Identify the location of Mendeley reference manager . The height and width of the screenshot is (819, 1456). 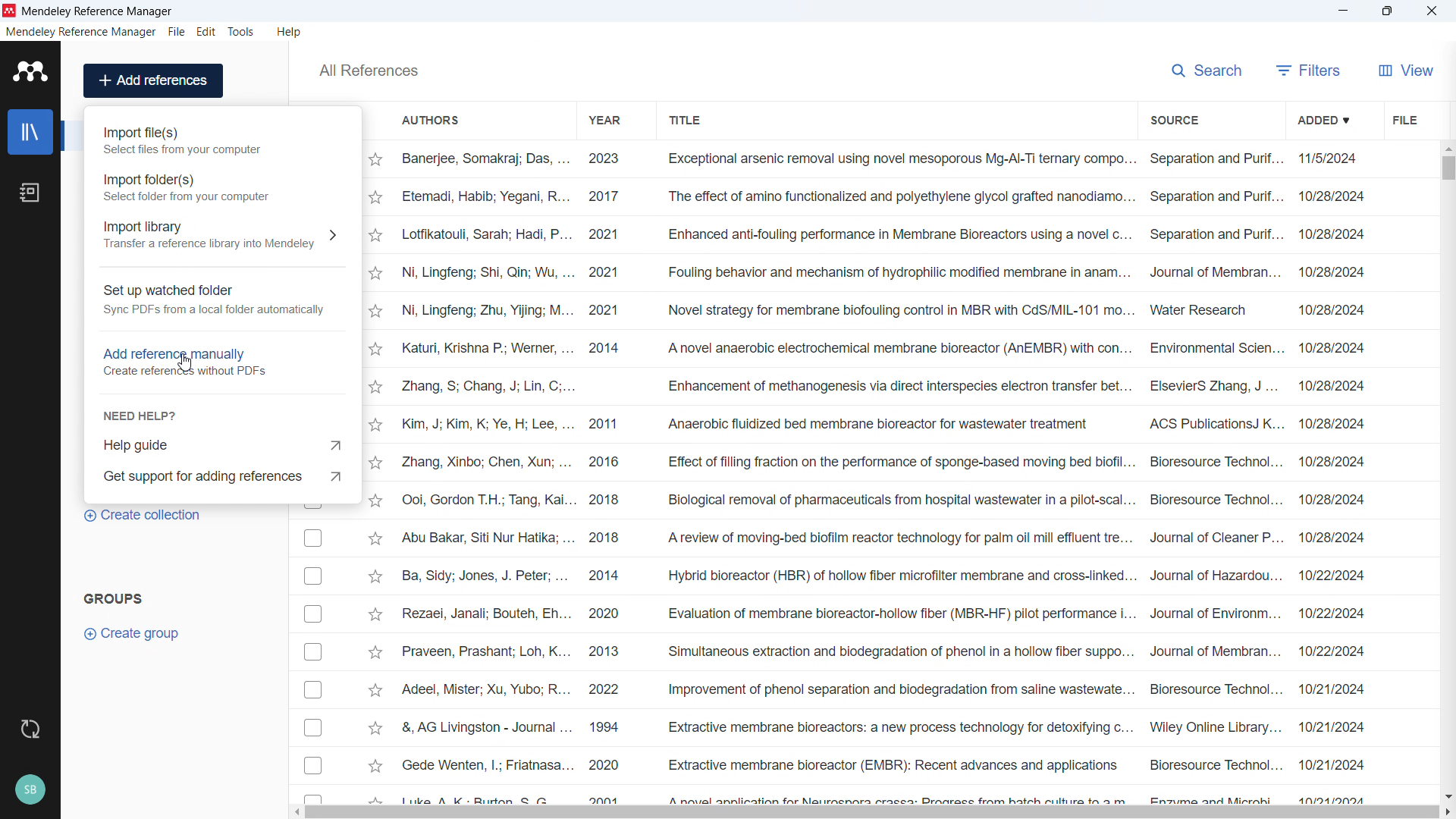
(81, 32).